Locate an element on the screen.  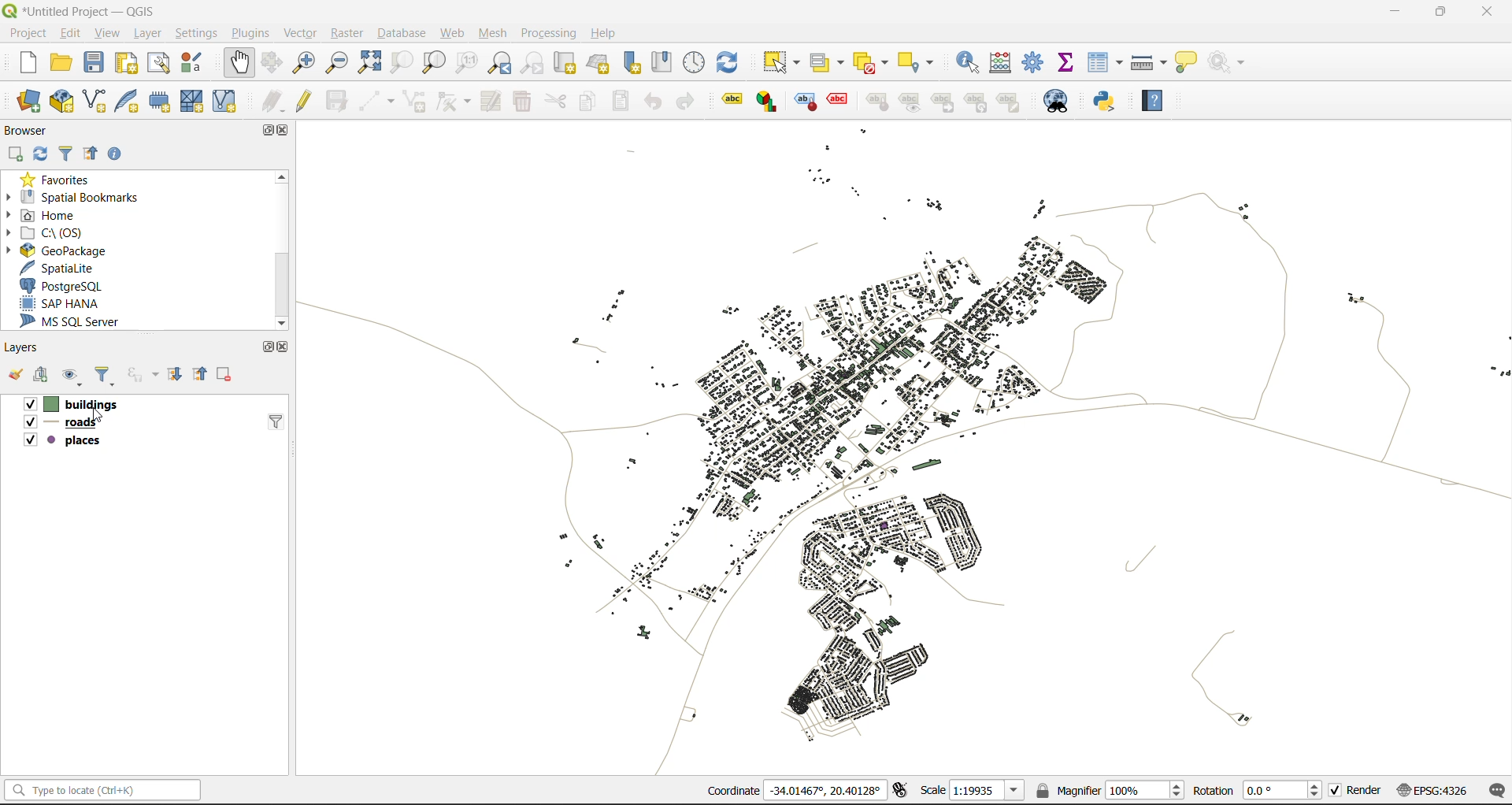
redo is located at coordinates (687, 103).